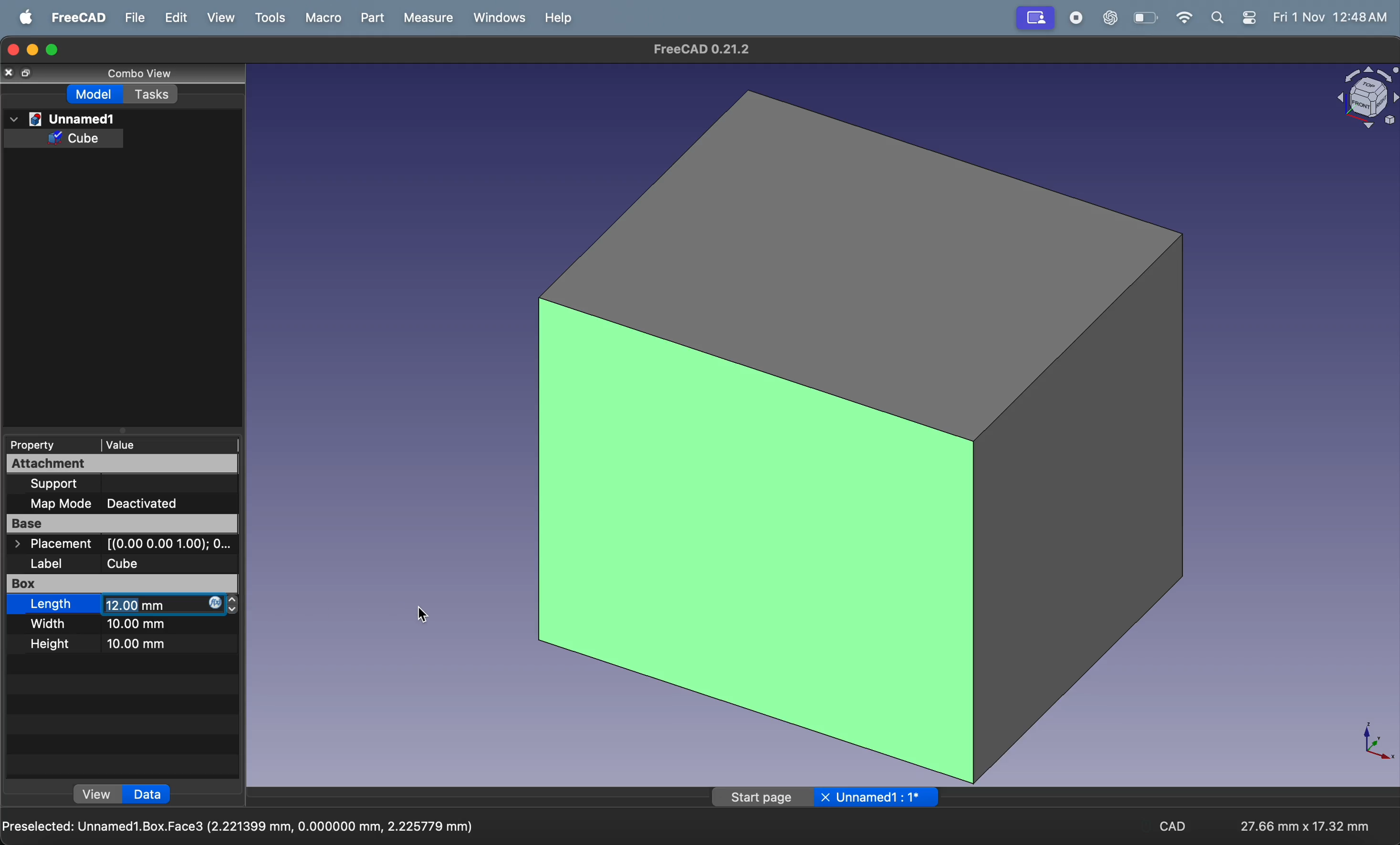 The height and width of the screenshot is (845, 1400). Describe the element at coordinates (59, 583) in the screenshot. I see `box` at that location.